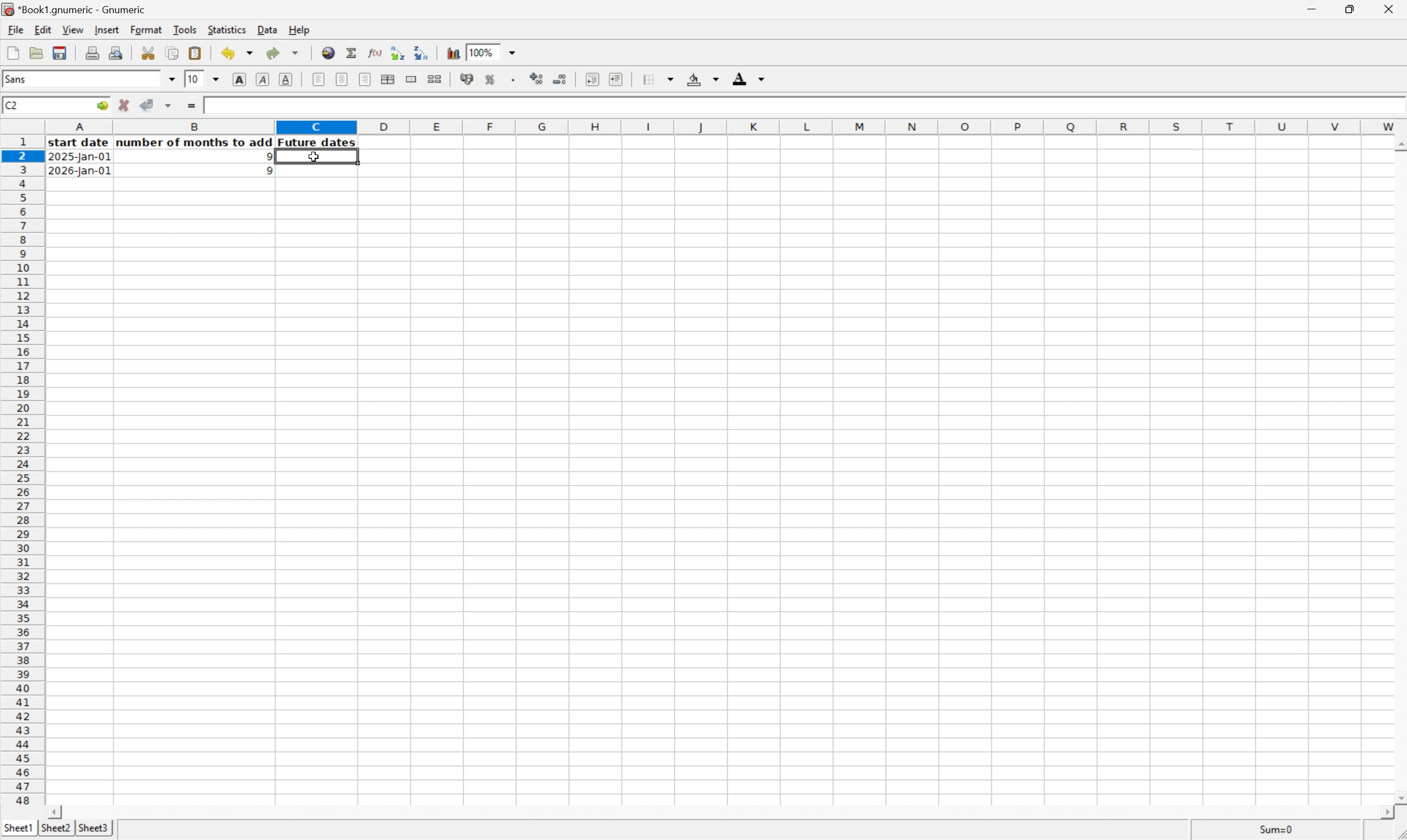 The height and width of the screenshot is (840, 1407). I want to click on Decrease indent, and align the contents to the left, so click(590, 79).